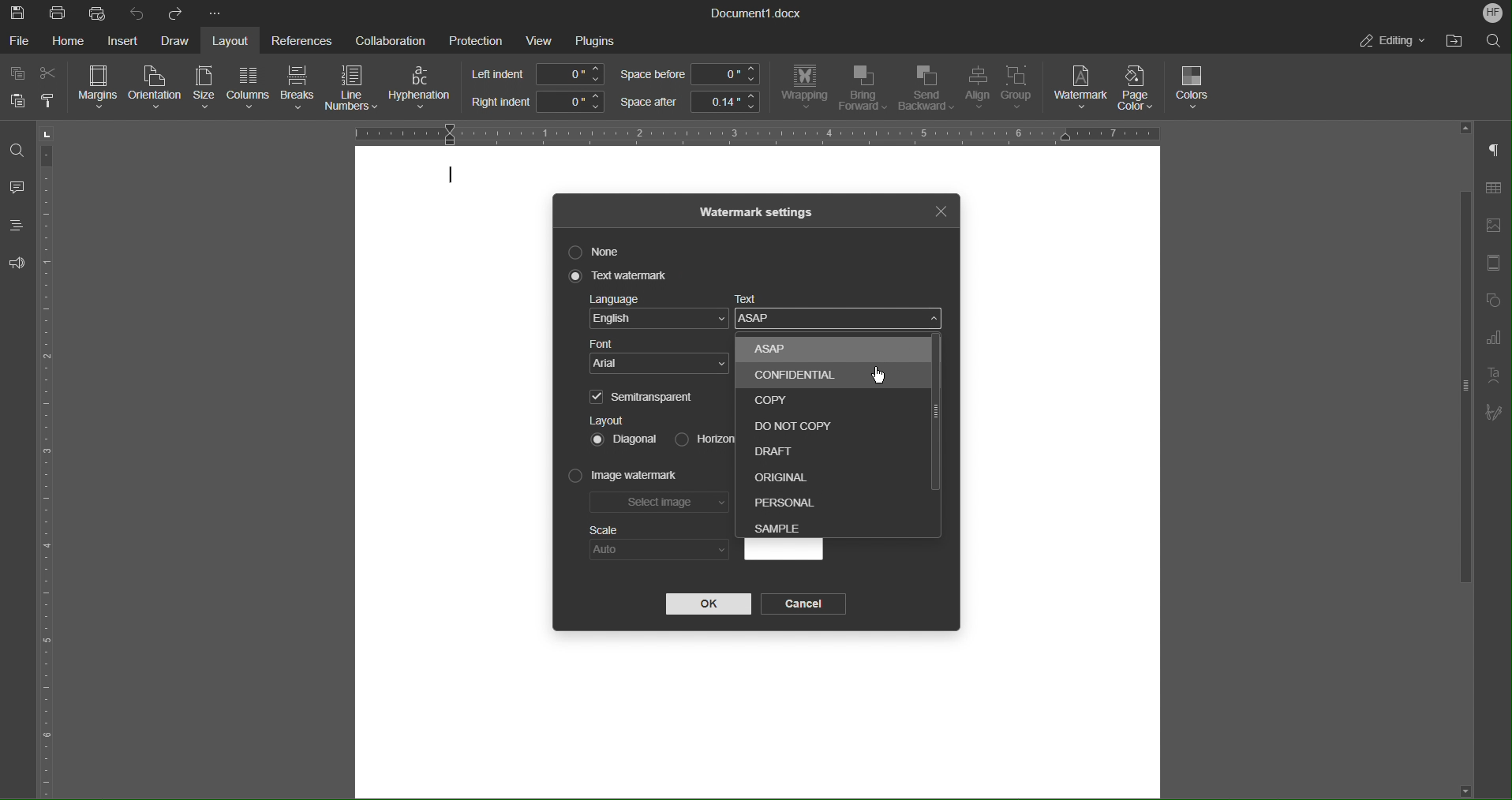  Describe the element at coordinates (19, 74) in the screenshot. I see `Copy` at that location.